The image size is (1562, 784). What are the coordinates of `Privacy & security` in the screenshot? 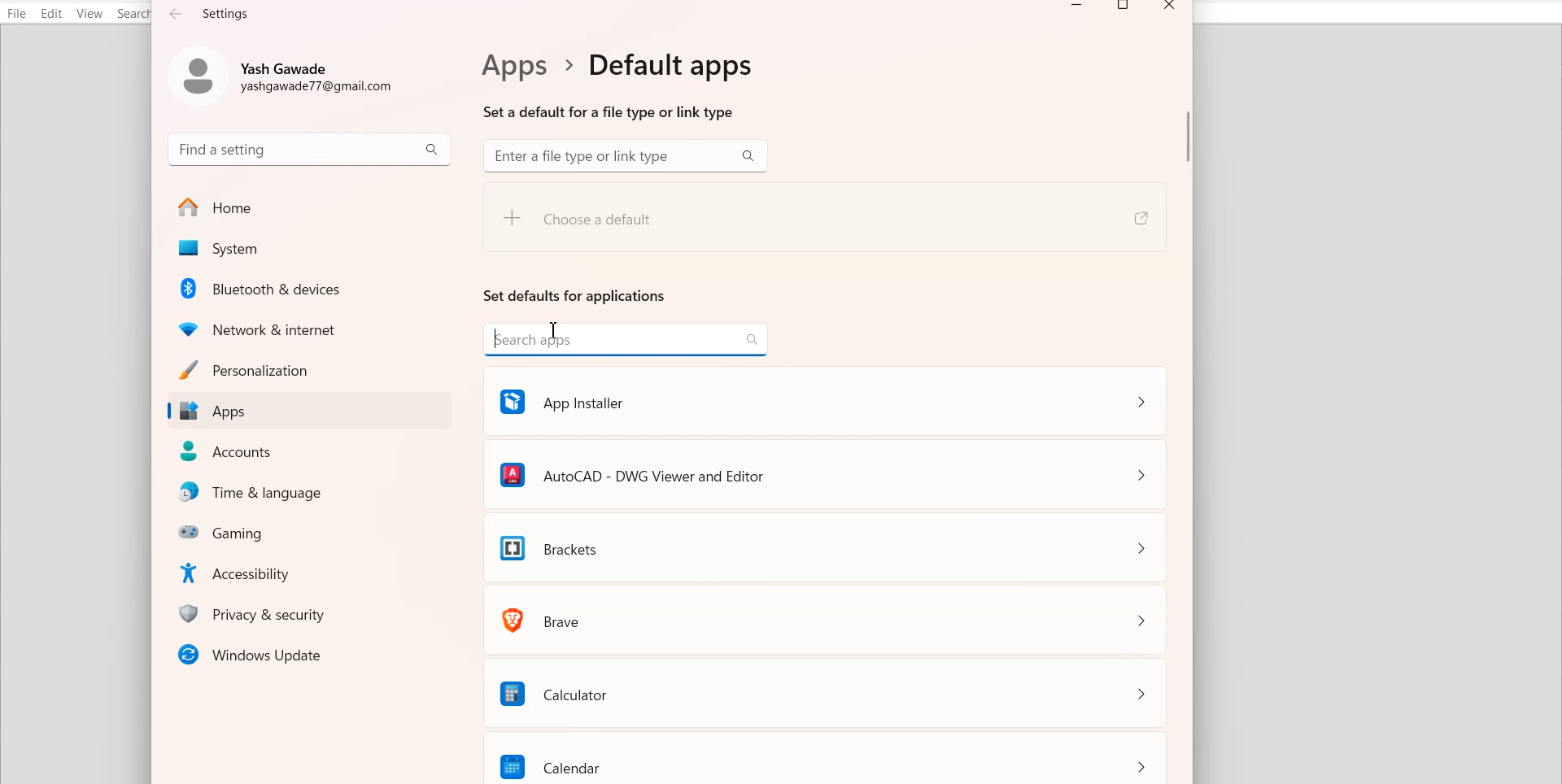 It's located at (314, 613).